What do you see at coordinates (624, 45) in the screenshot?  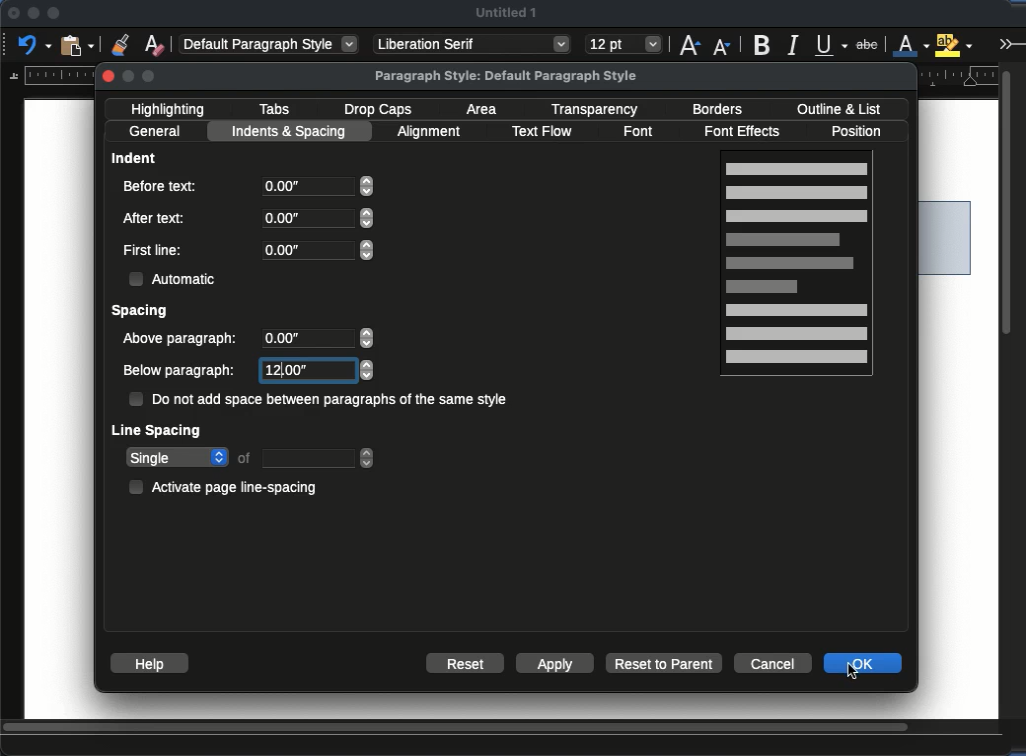 I see `12 pt` at bounding box center [624, 45].